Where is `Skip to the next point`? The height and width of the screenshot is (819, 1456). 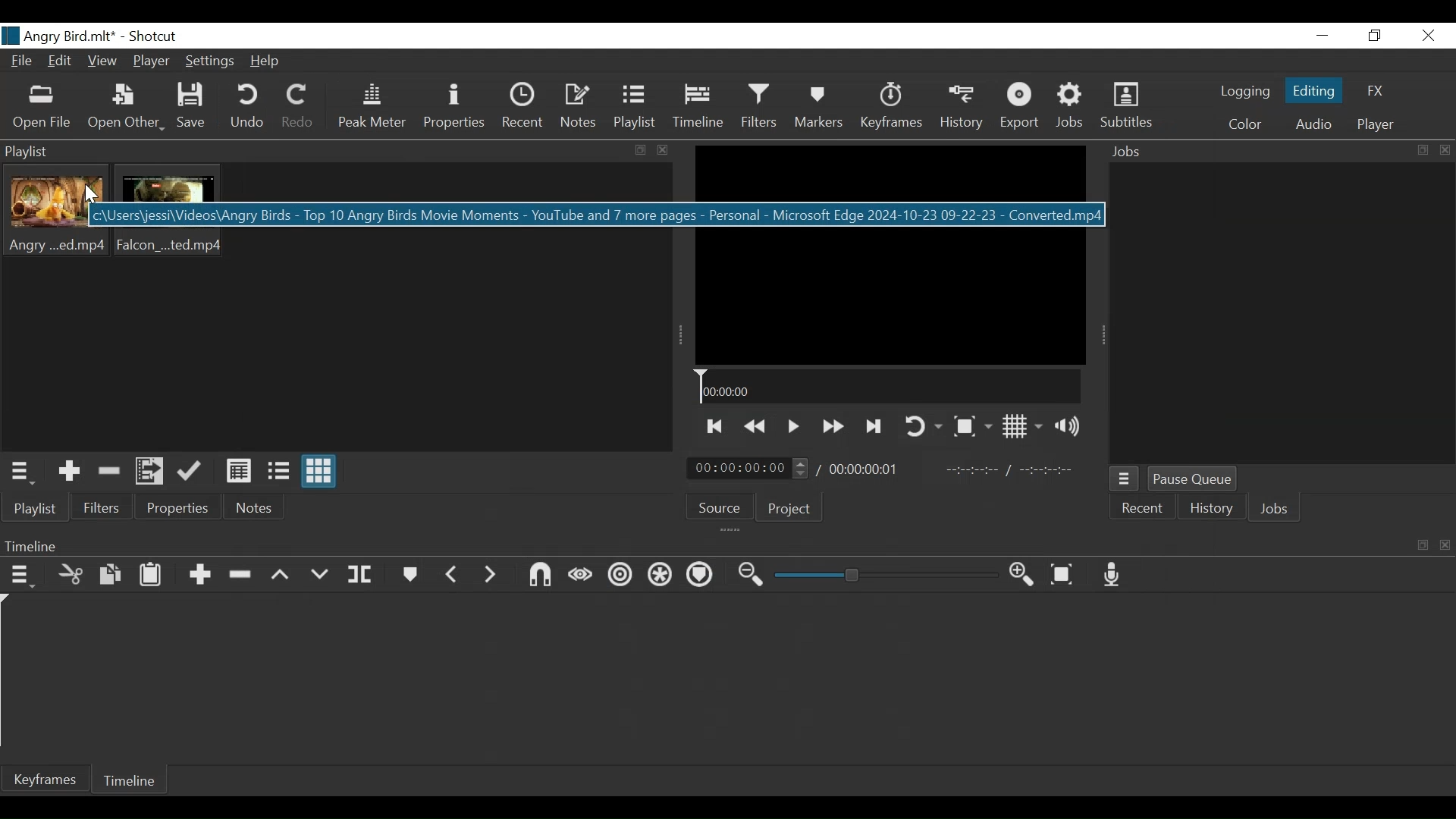 Skip to the next point is located at coordinates (874, 427).